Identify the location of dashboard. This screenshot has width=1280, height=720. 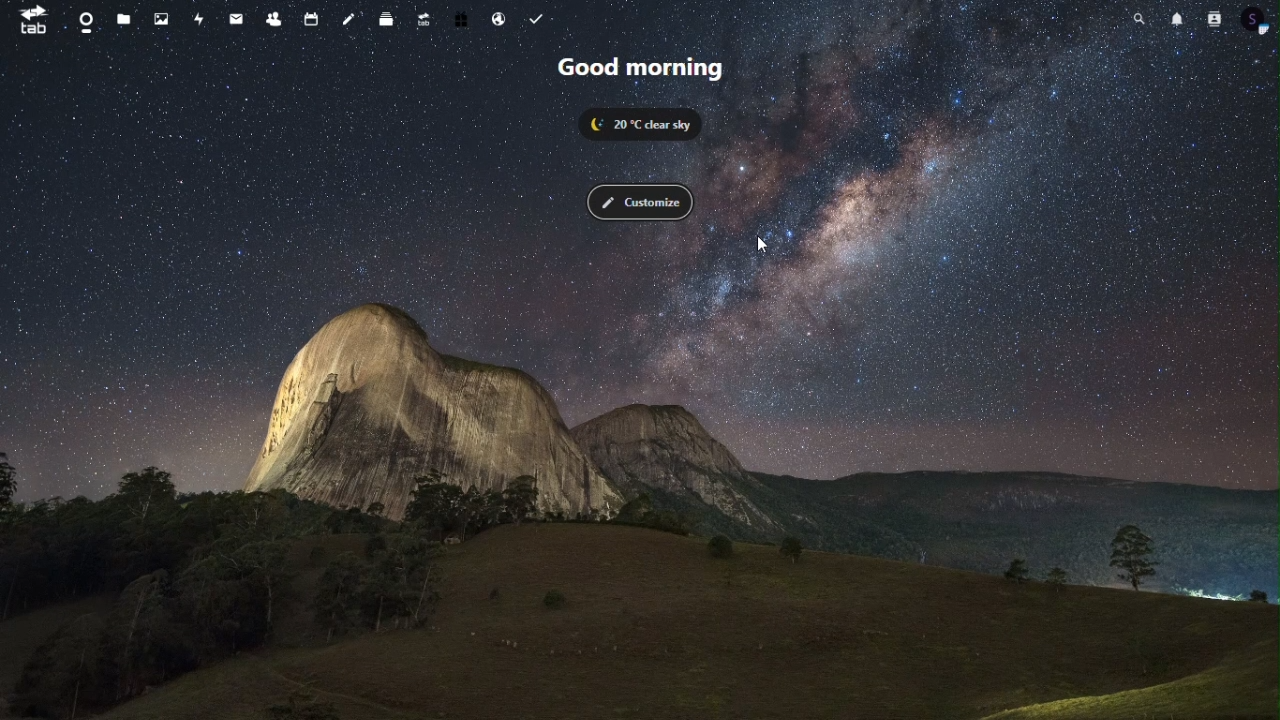
(85, 22).